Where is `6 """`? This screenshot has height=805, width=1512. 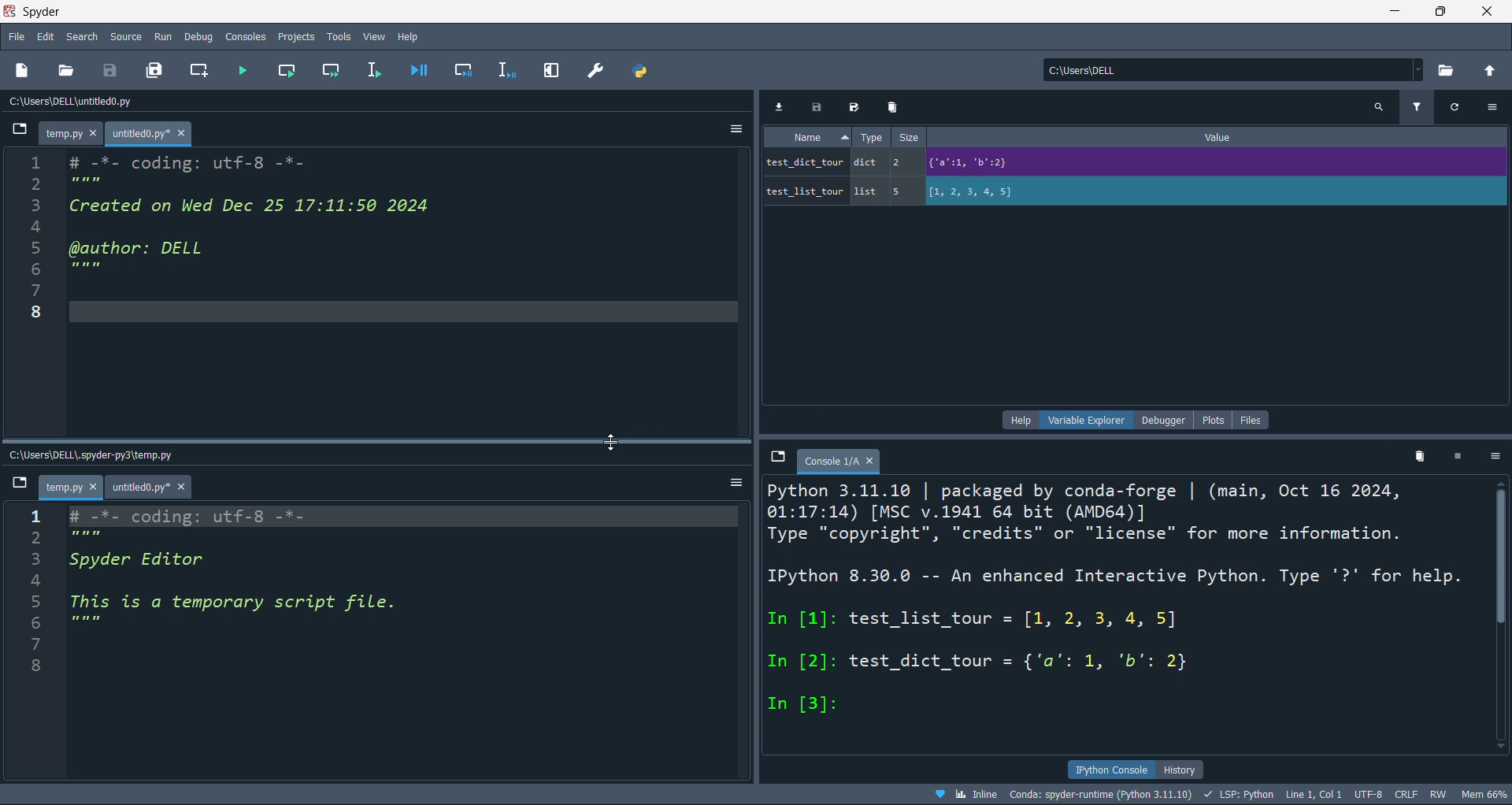
6 """ is located at coordinates (72, 621).